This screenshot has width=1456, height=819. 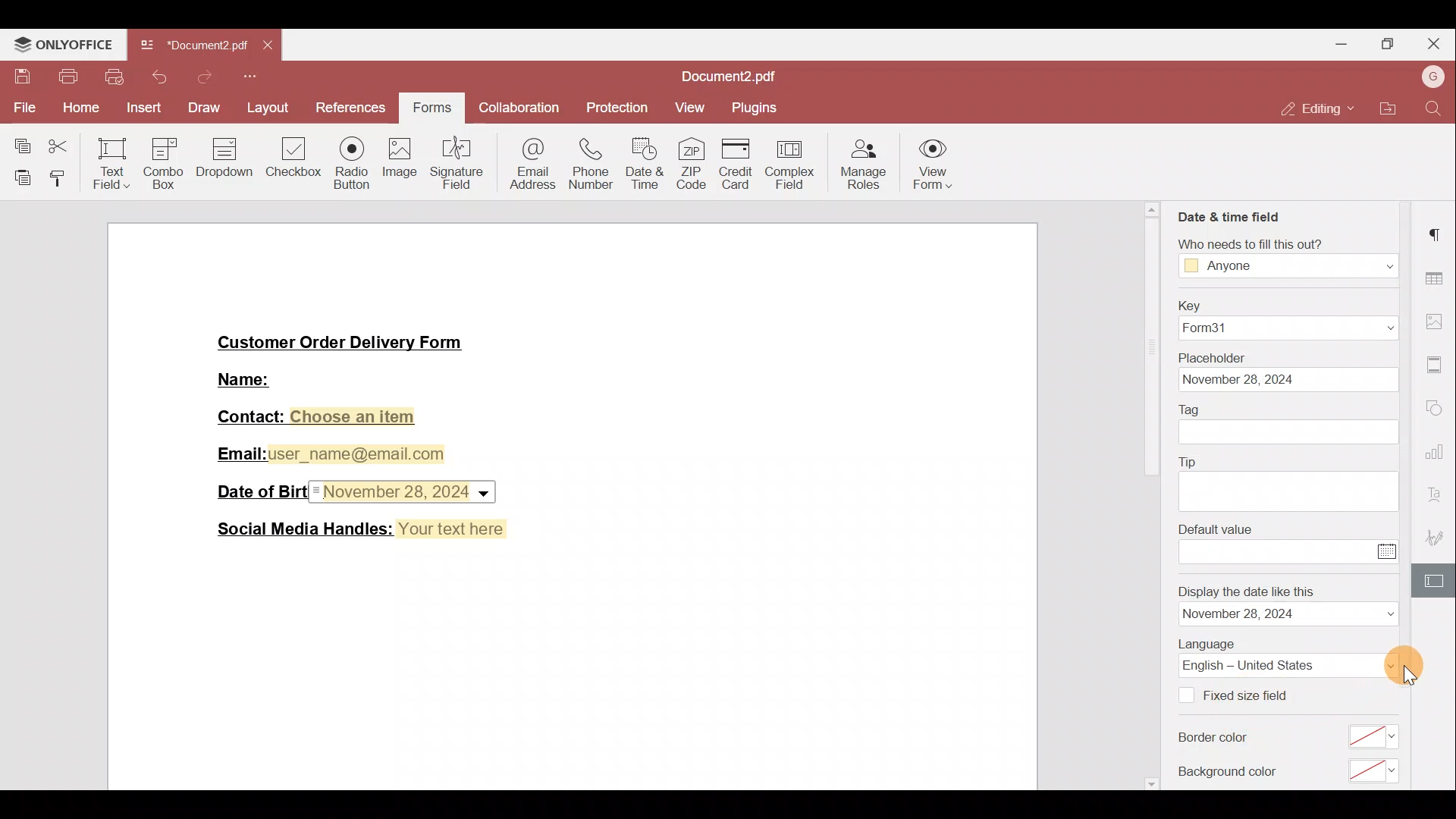 What do you see at coordinates (18, 174) in the screenshot?
I see `Paste` at bounding box center [18, 174].